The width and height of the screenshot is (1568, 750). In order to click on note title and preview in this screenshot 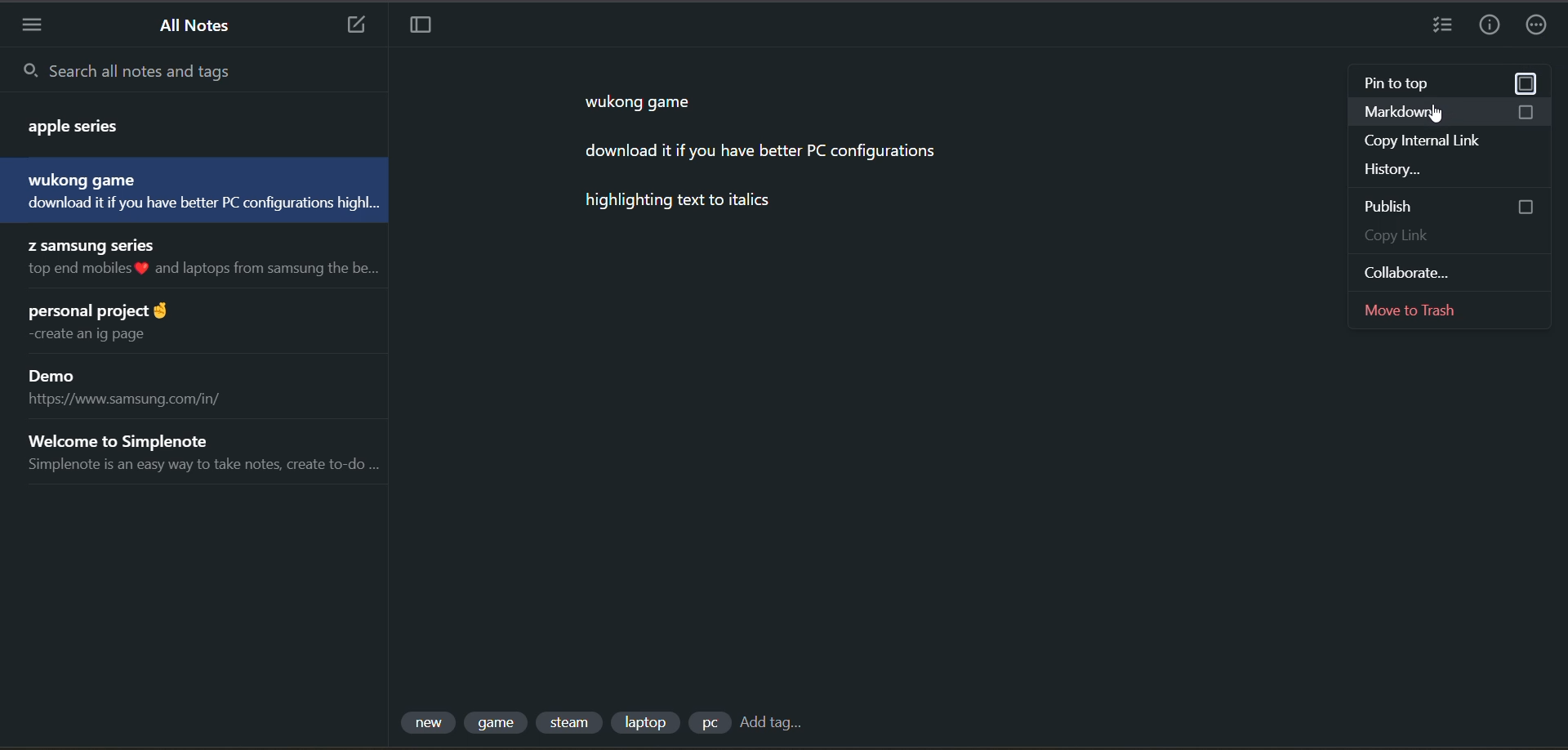, I will do `click(122, 324)`.